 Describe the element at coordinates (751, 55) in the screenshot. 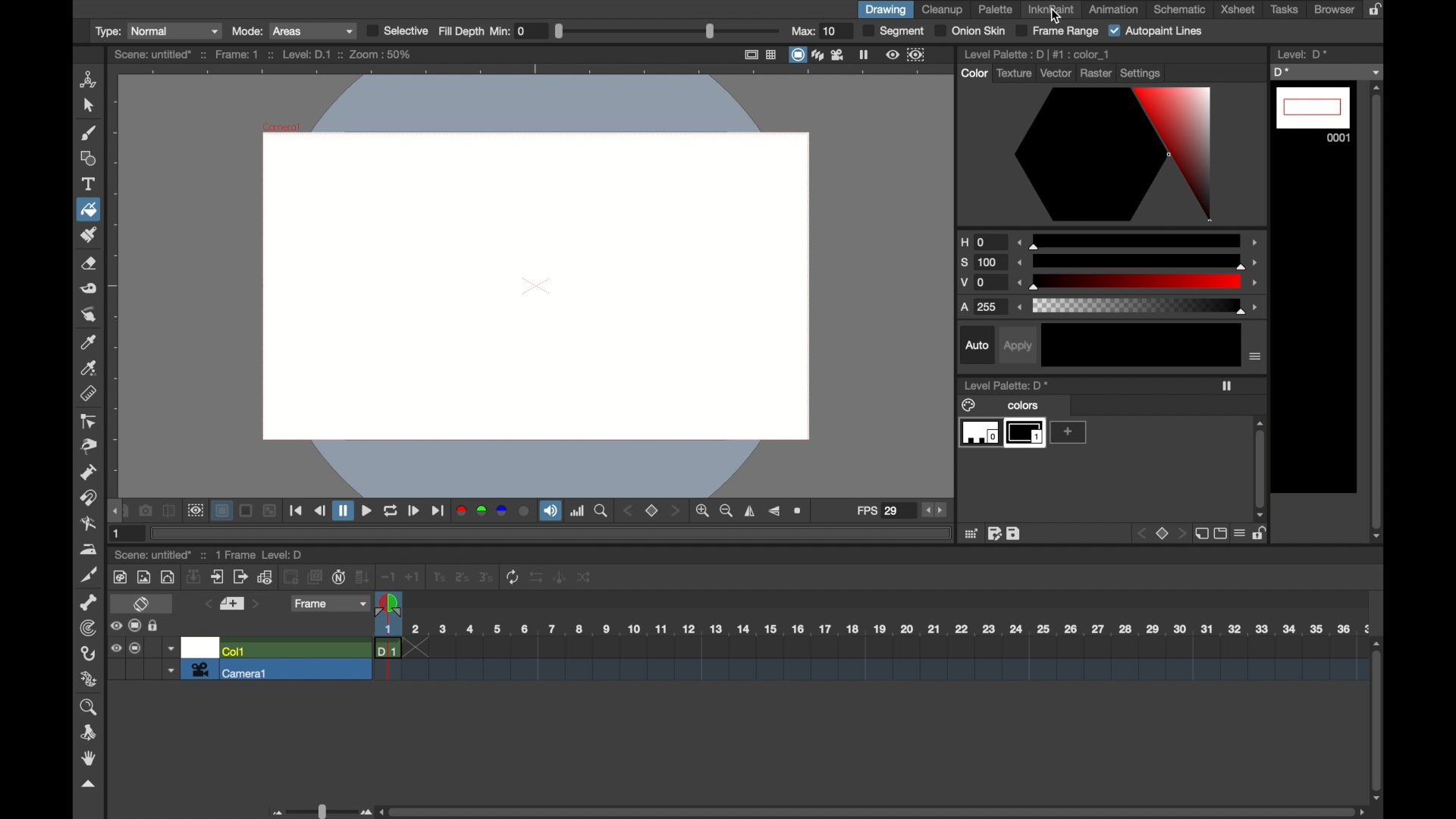

I see `full screen` at that location.